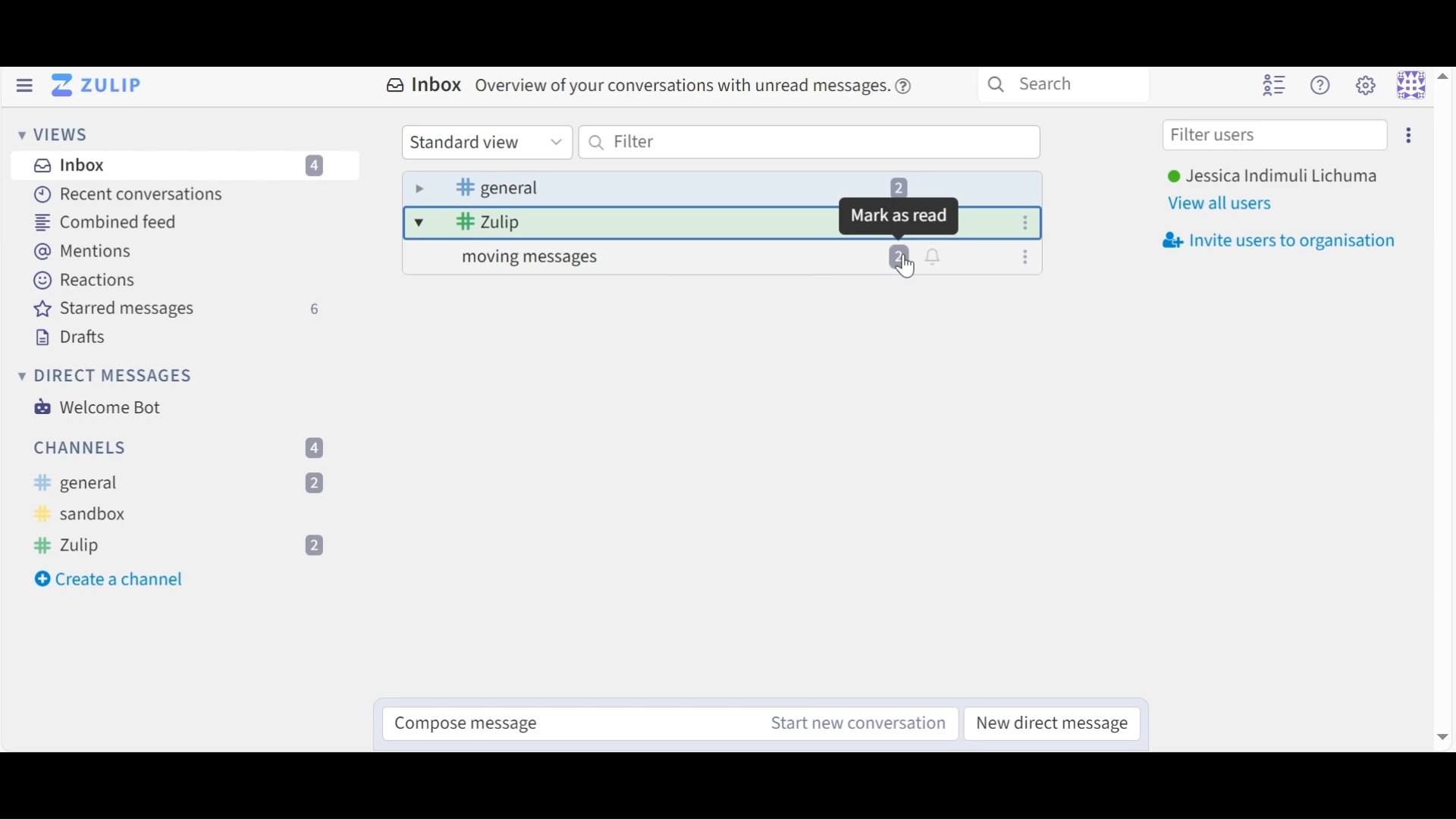 This screenshot has width=1456, height=819. What do you see at coordinates (565, 722) in the screenshot?
I see `Compose message` at bounding box center [565, 722].